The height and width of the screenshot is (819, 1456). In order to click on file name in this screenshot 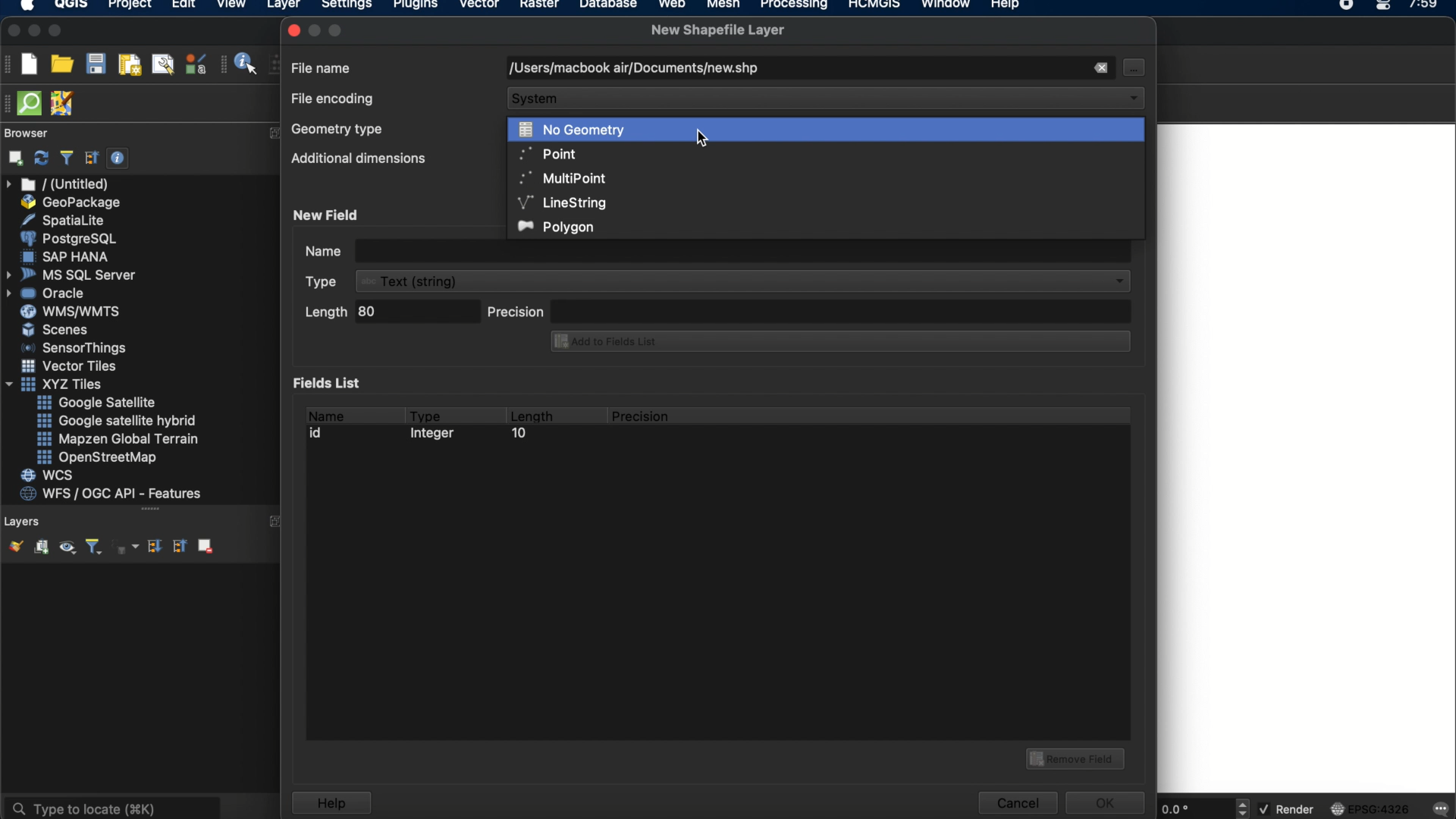, I will do `click(322, 67)`.